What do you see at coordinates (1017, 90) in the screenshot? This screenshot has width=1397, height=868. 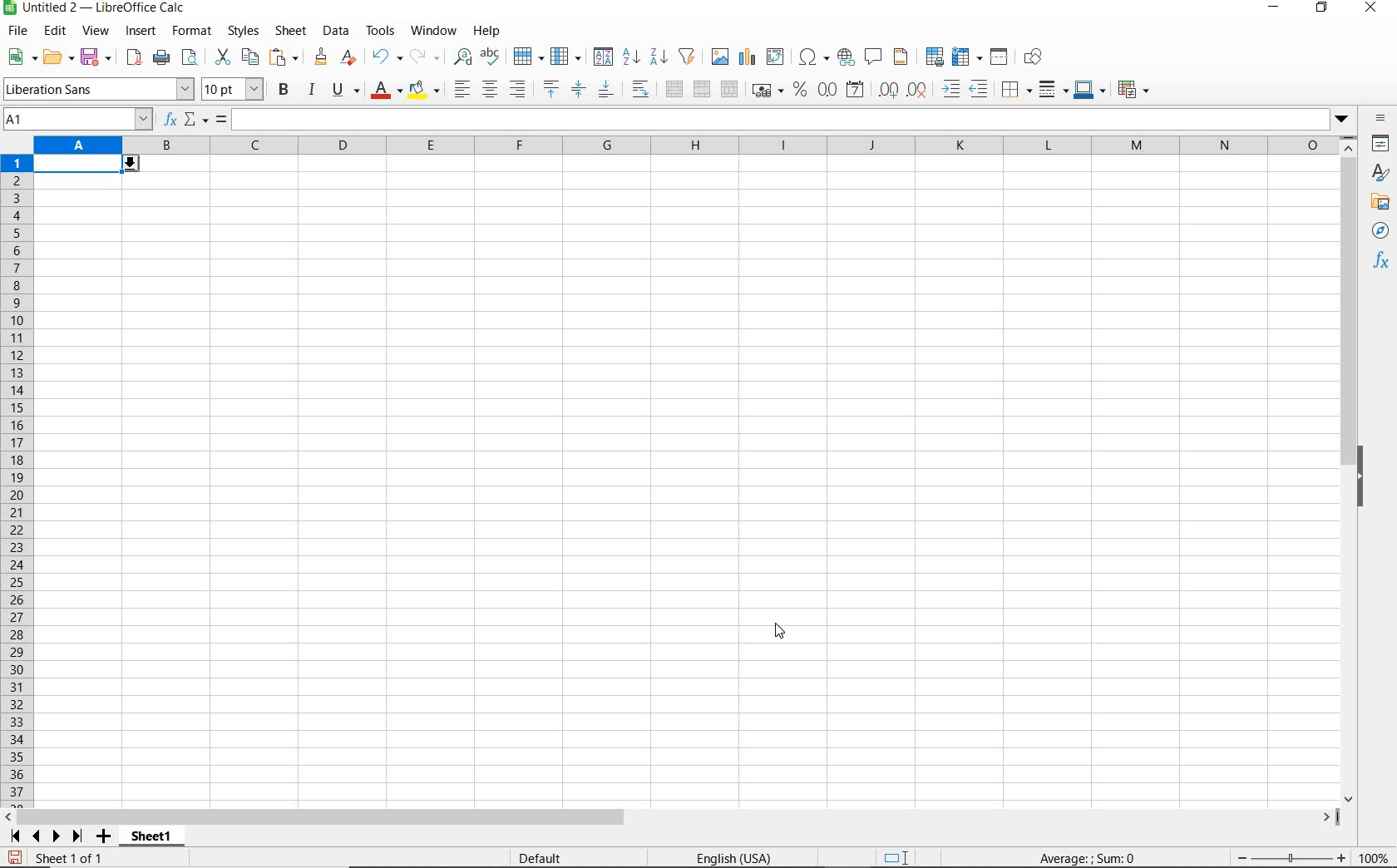 I see `borders` at bounding box center [1017, 90].